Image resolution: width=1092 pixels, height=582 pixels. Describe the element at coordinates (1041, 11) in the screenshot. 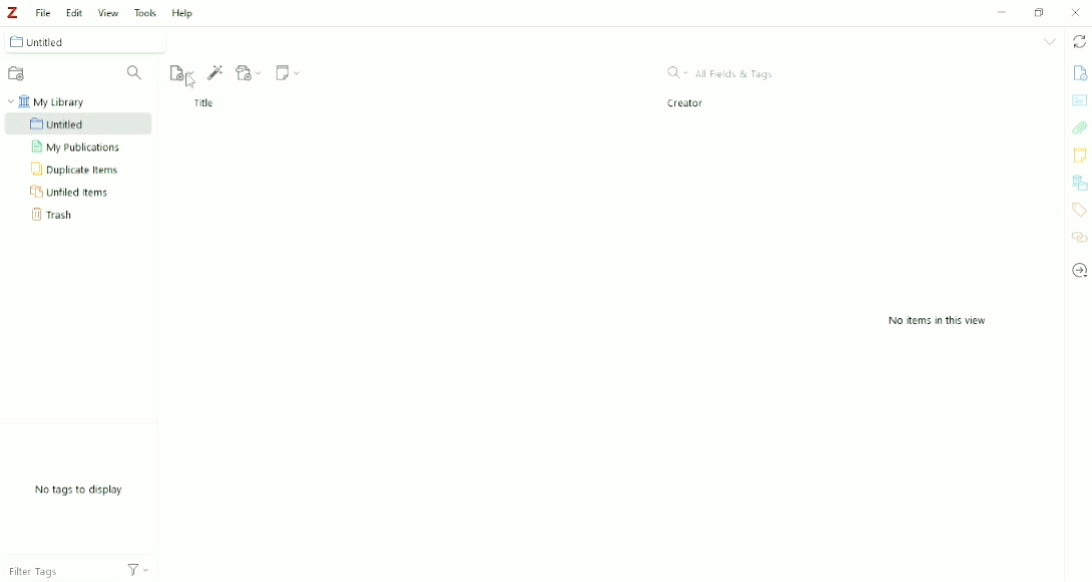

I see `Restore down` at that location.